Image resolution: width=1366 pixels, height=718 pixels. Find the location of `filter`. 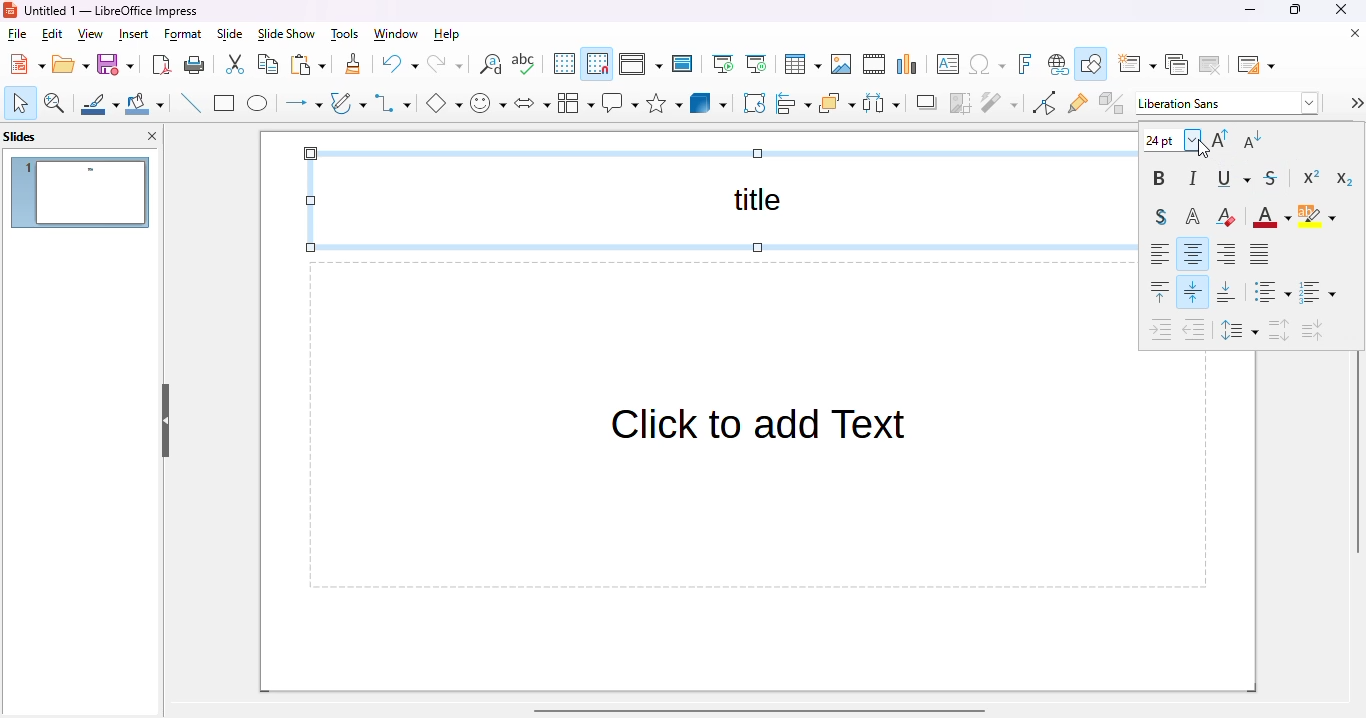

filter is located at coordinates (1000, 103).